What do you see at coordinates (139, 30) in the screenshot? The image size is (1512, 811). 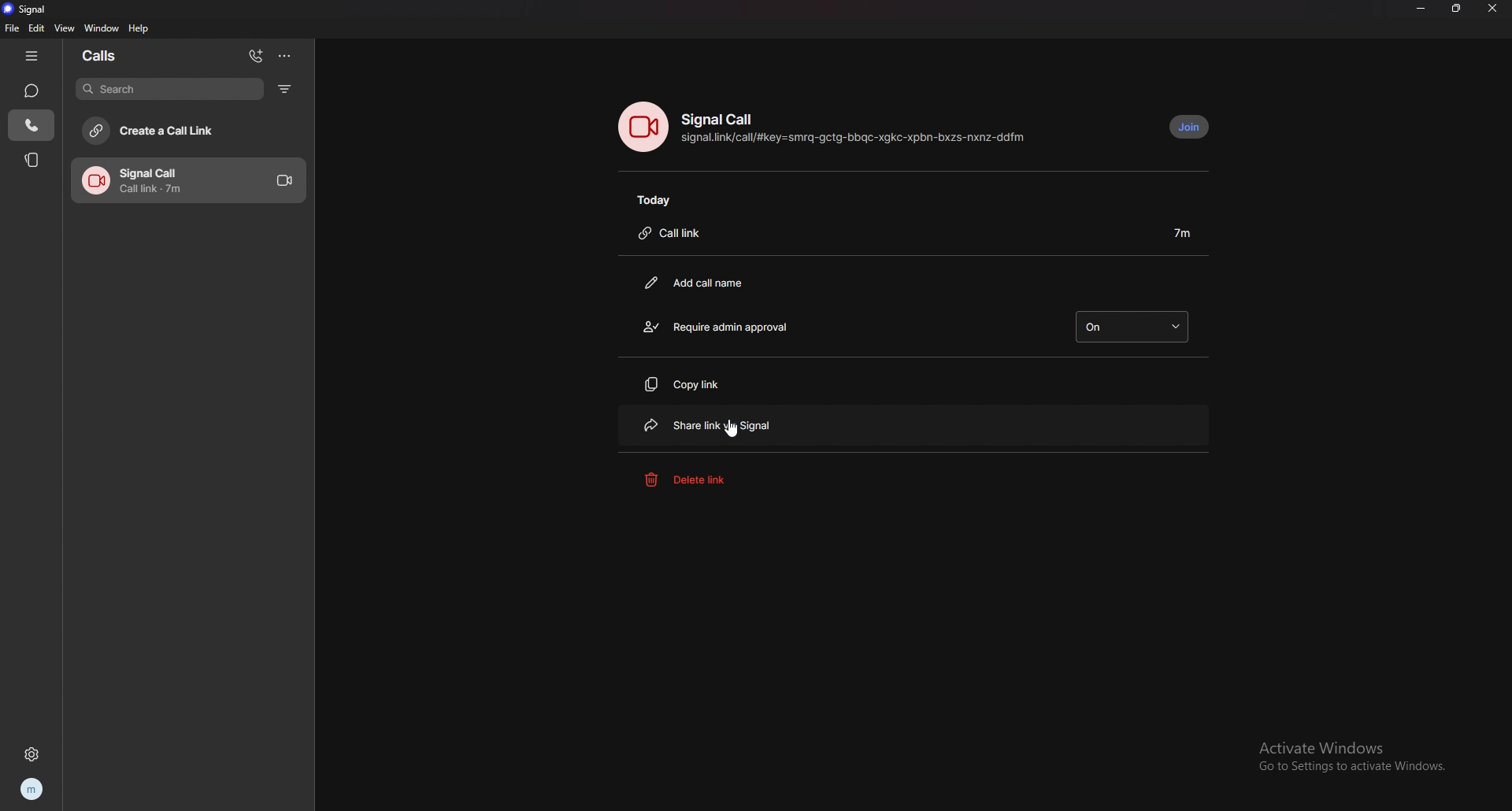 I see `help` at bounding box center [139, 30].